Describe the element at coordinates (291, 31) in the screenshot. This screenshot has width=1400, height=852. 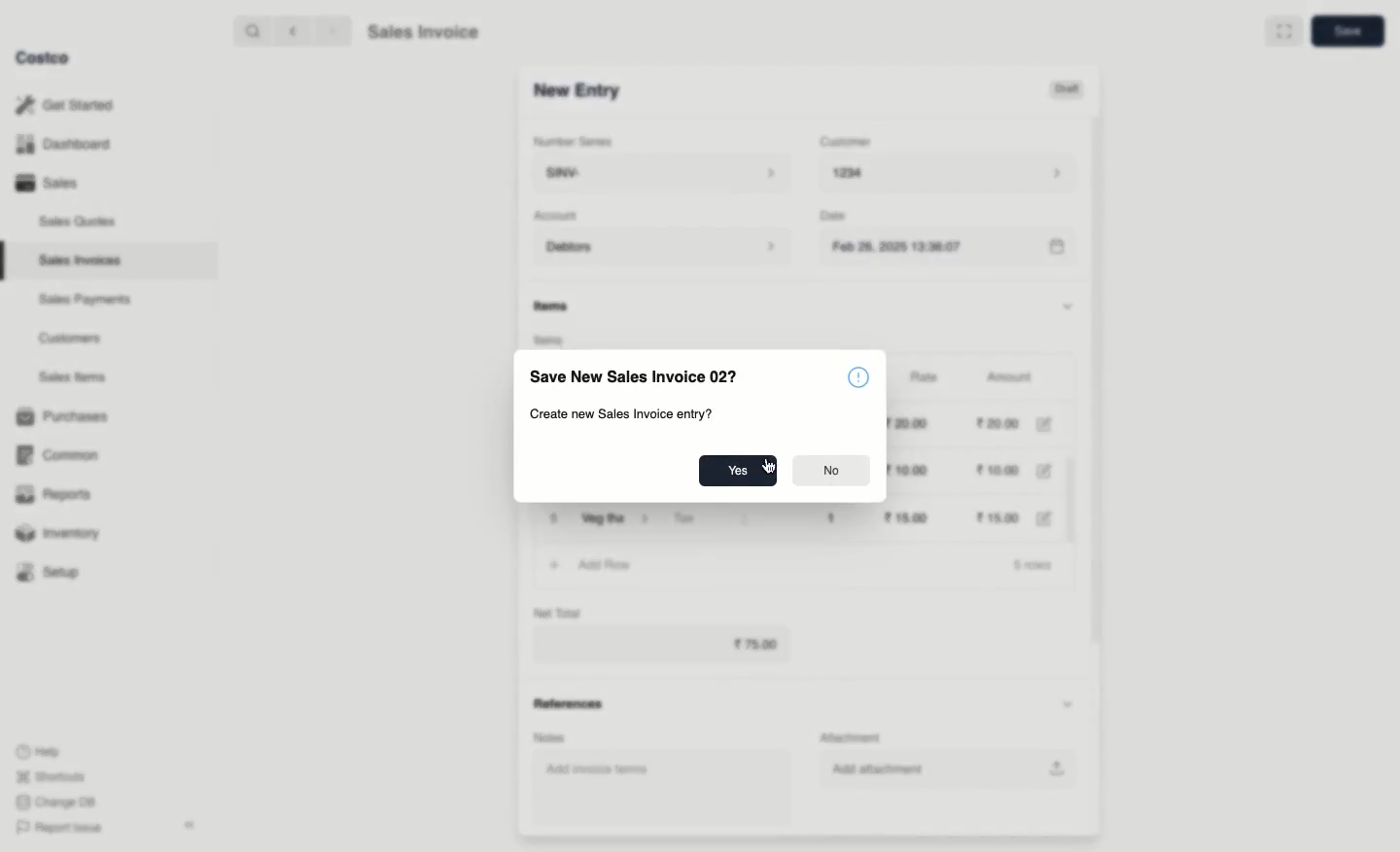
I see `Back` at that location.